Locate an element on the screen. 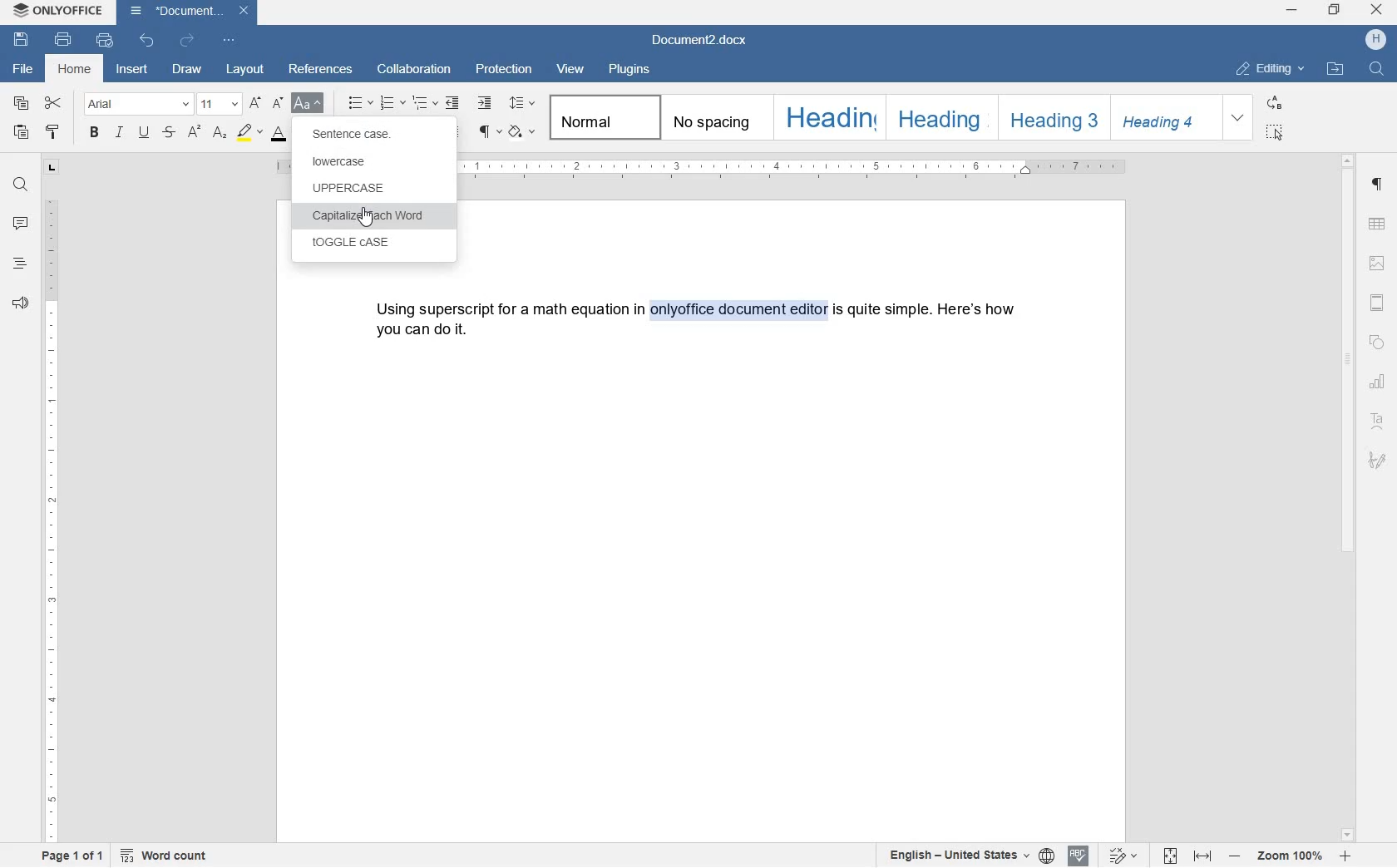 The width and height of the screenshot is (1397, 868). increase indent is located at coordinates (484, 103).